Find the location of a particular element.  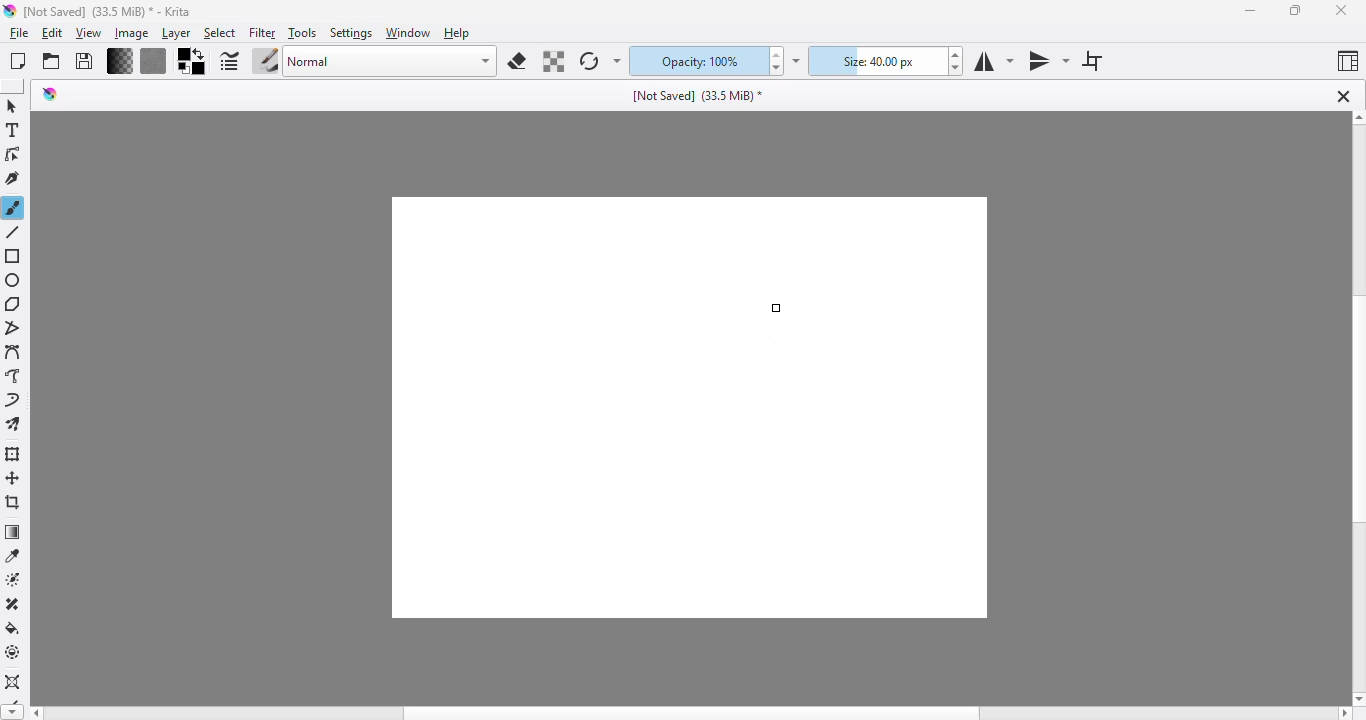

canvas is located at coordinates (685, 408).